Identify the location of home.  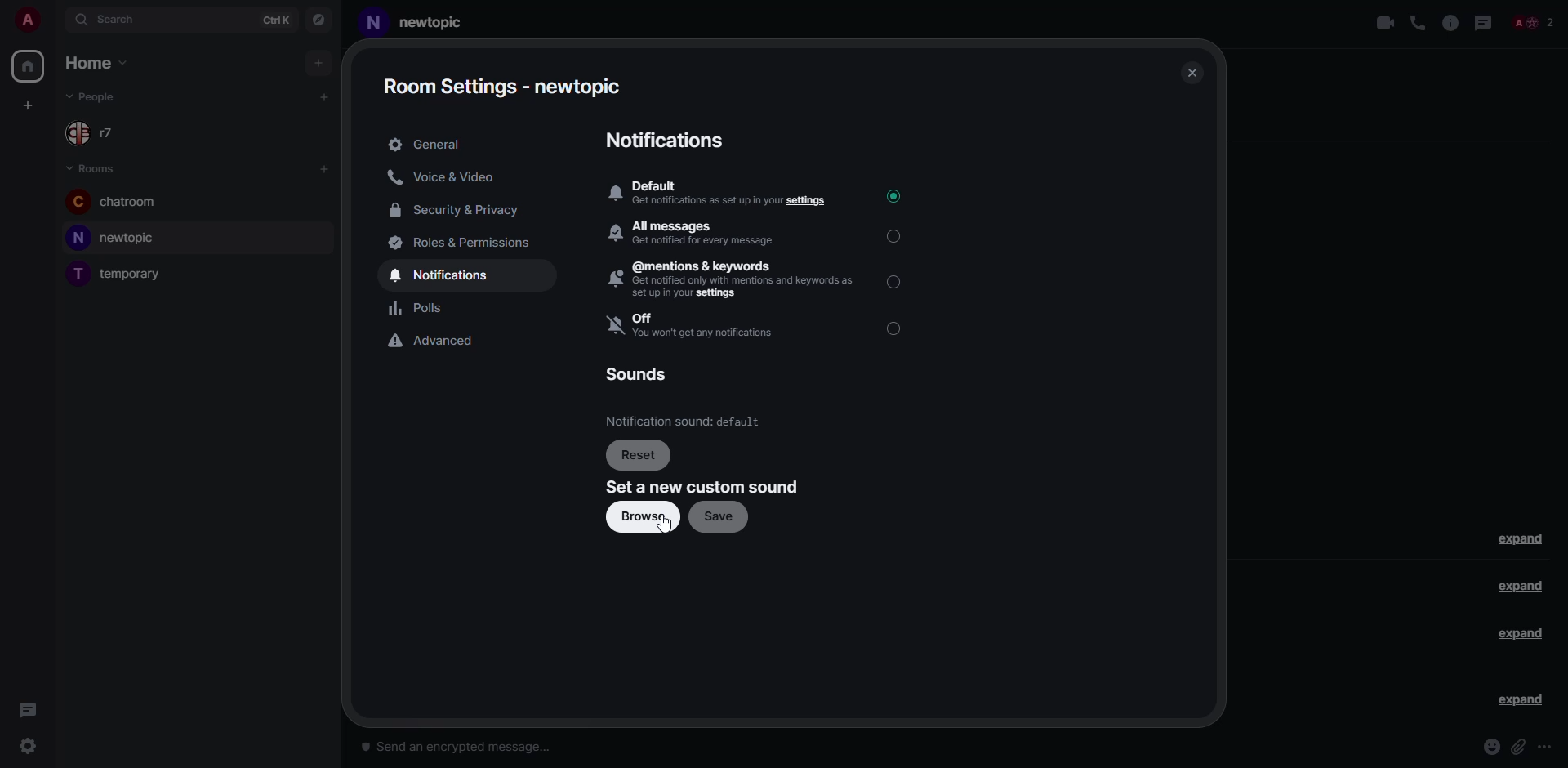
(28, 66).